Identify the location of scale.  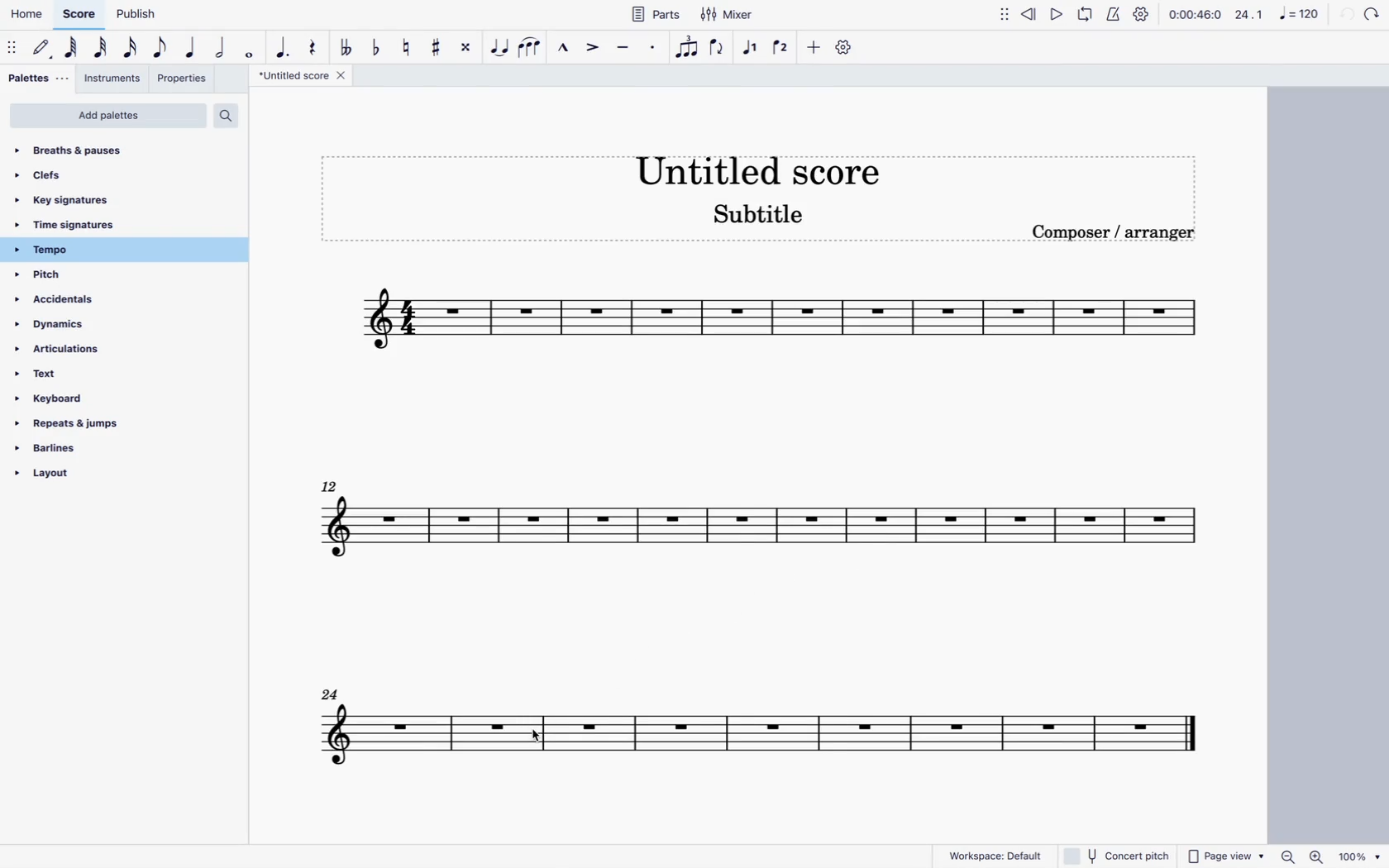
(1277, 14).